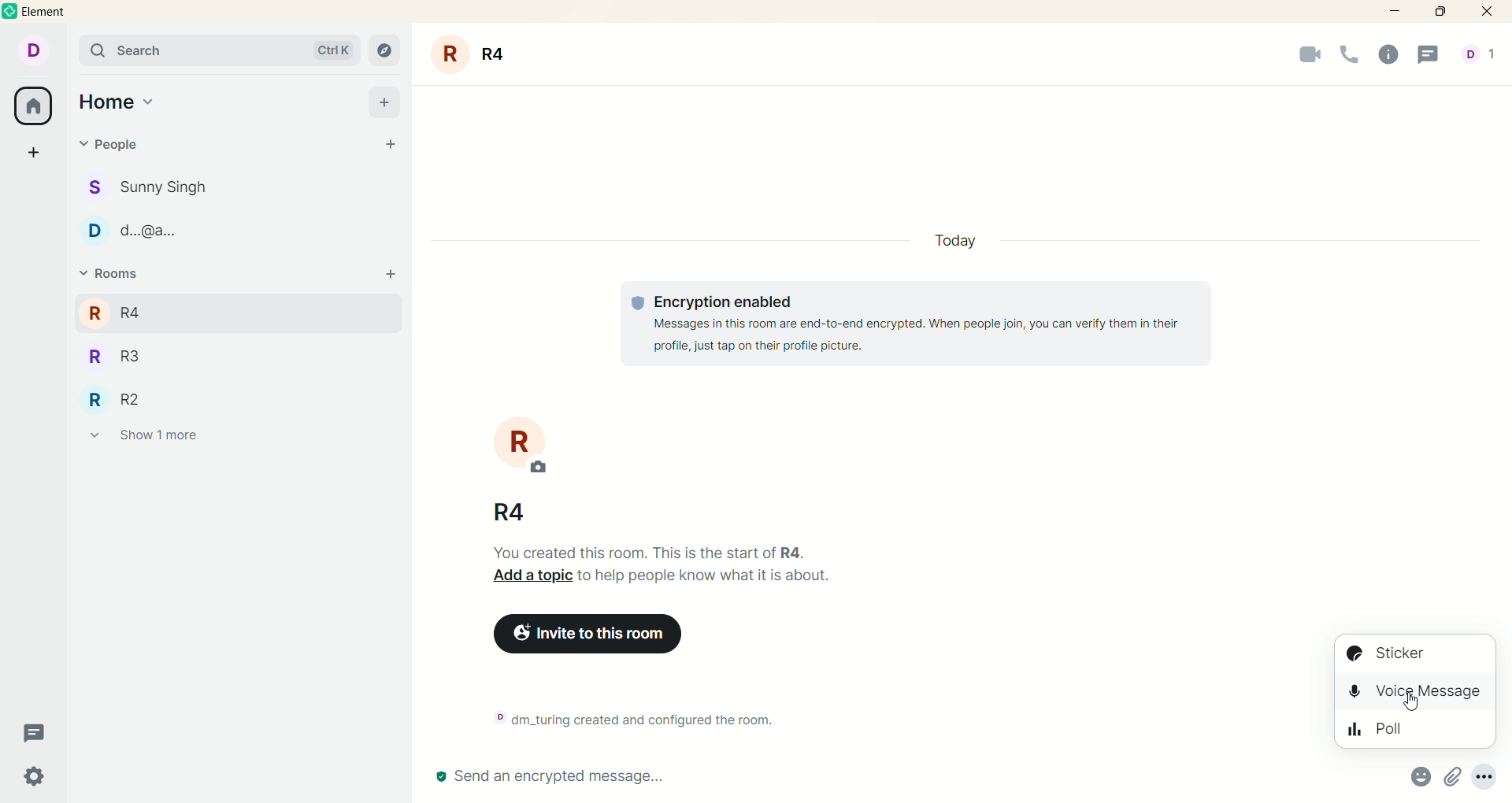 This screenshot has height=803, width=1512. What do you see at coordinates (522, 443) in the screenshot?
I see `room` at bounding box center [522, 443].